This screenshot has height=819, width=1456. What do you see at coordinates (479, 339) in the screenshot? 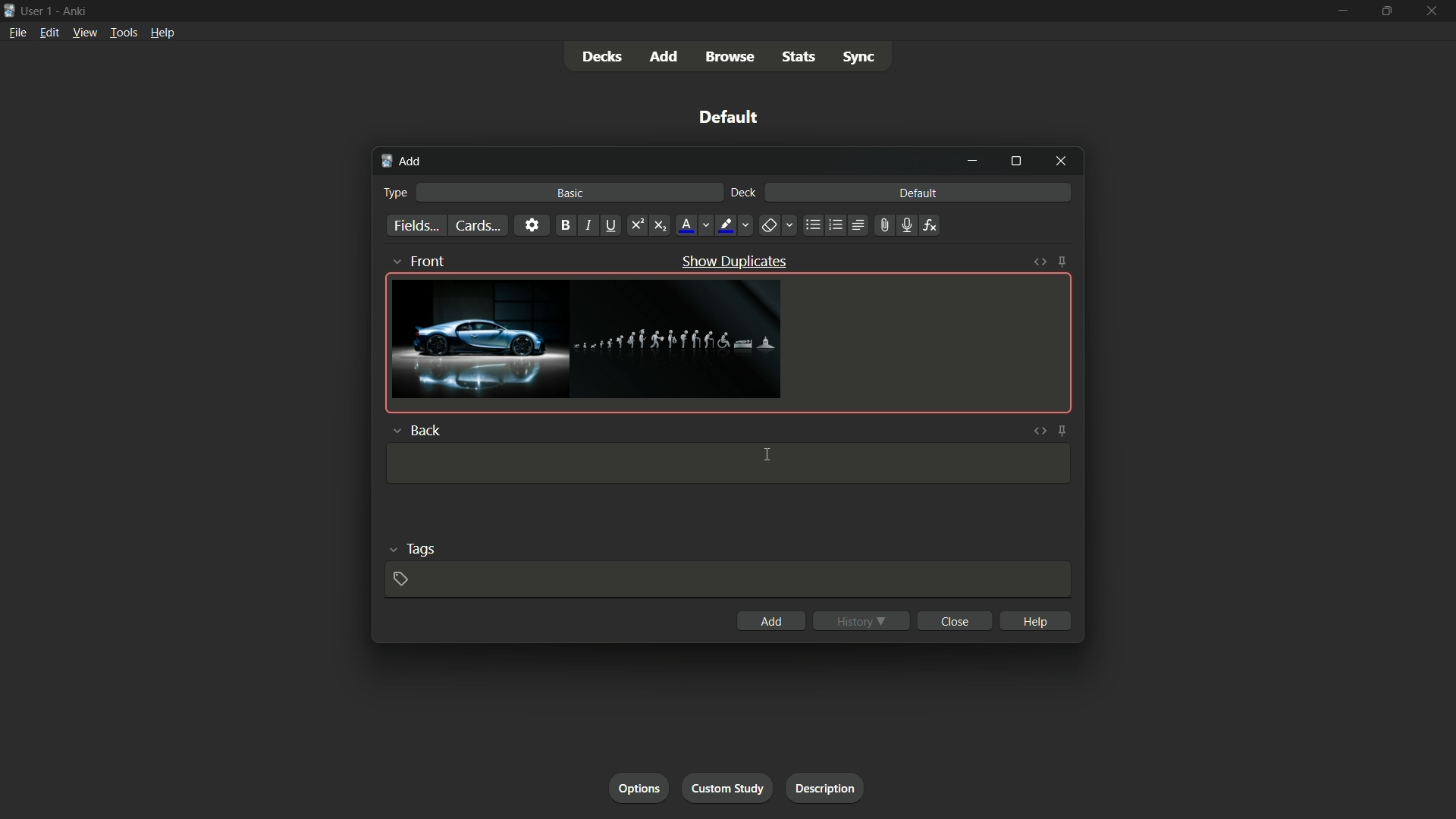
I see `one image added` at bounding box center [479, 339].